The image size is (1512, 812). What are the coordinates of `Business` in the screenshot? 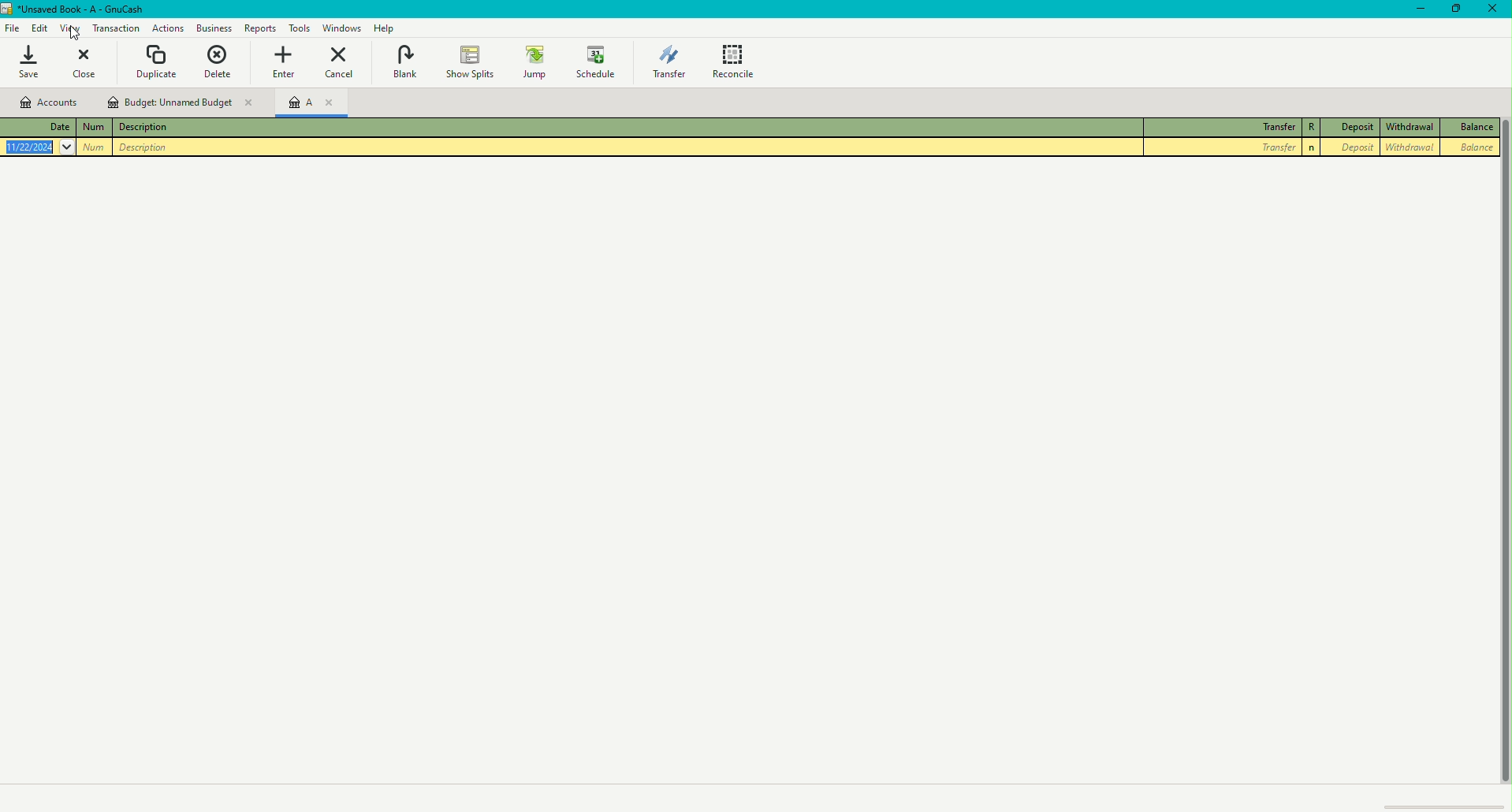 It's located at (214, 28).